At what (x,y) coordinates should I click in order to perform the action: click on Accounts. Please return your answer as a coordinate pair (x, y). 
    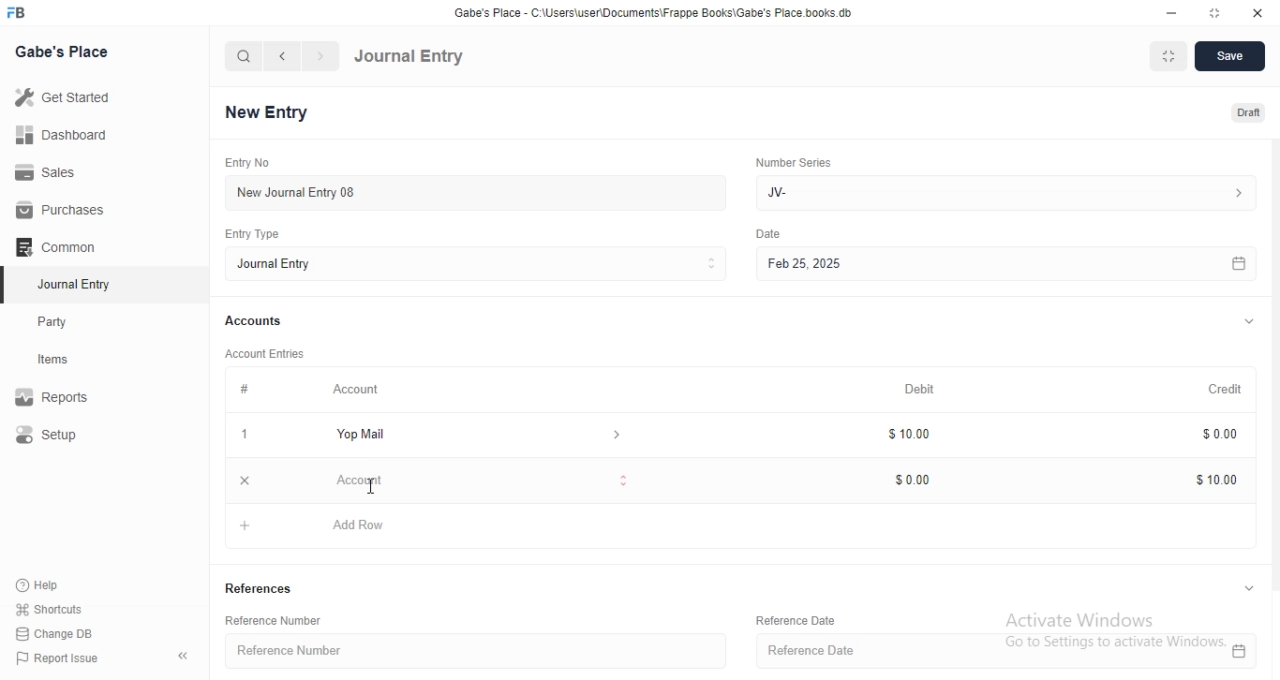
    Looking at the image, I should click on (255, 322).